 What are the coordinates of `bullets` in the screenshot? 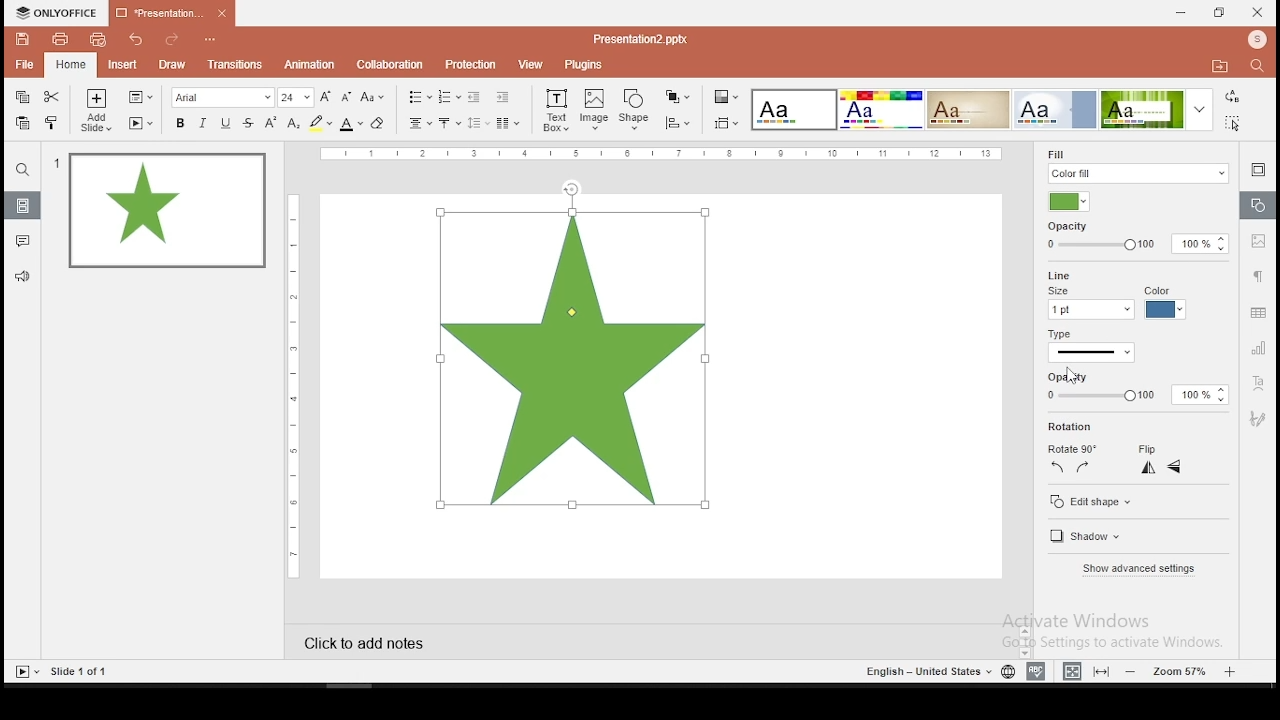 It's located at (419, 97).